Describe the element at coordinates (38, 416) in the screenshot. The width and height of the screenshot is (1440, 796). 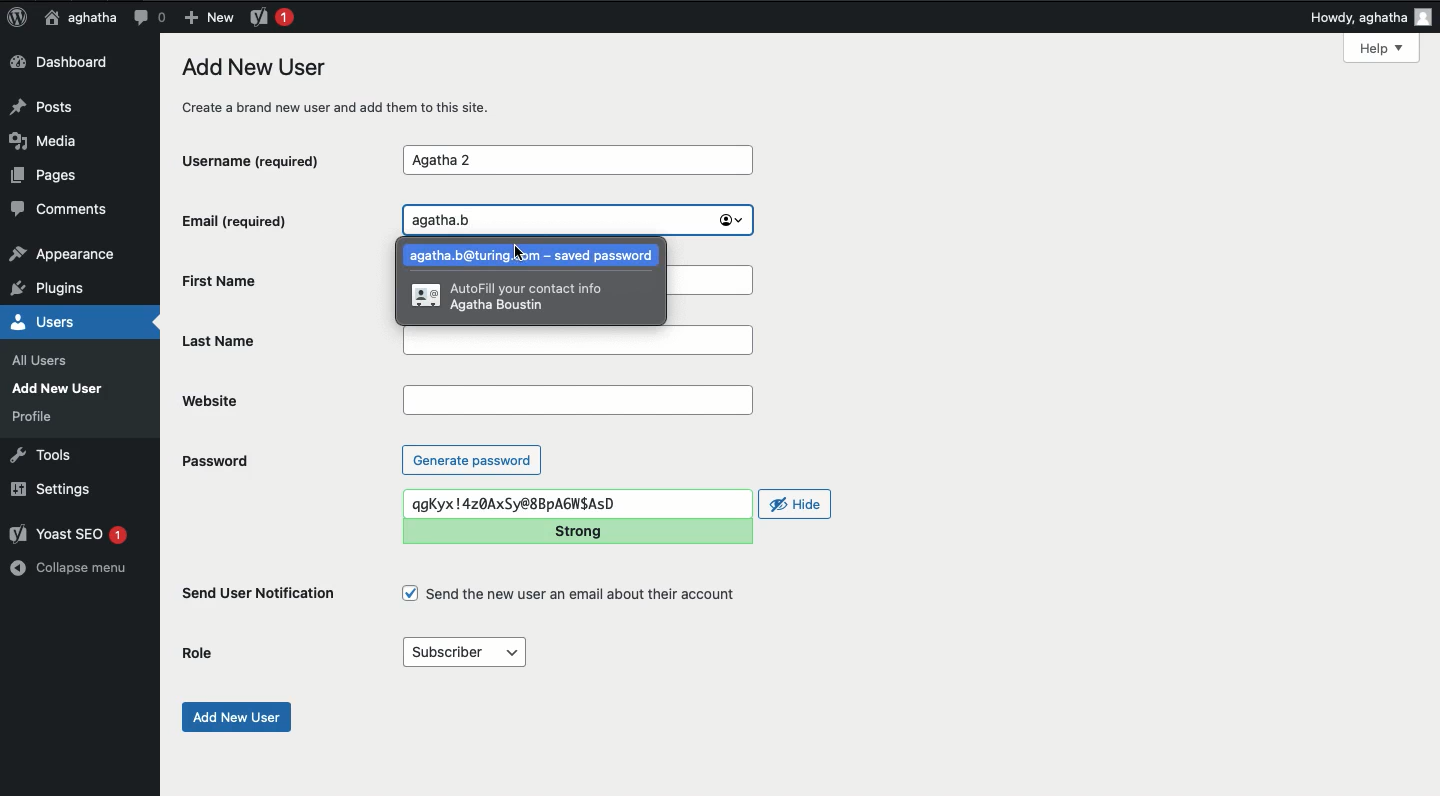
I see `profile` at that location.